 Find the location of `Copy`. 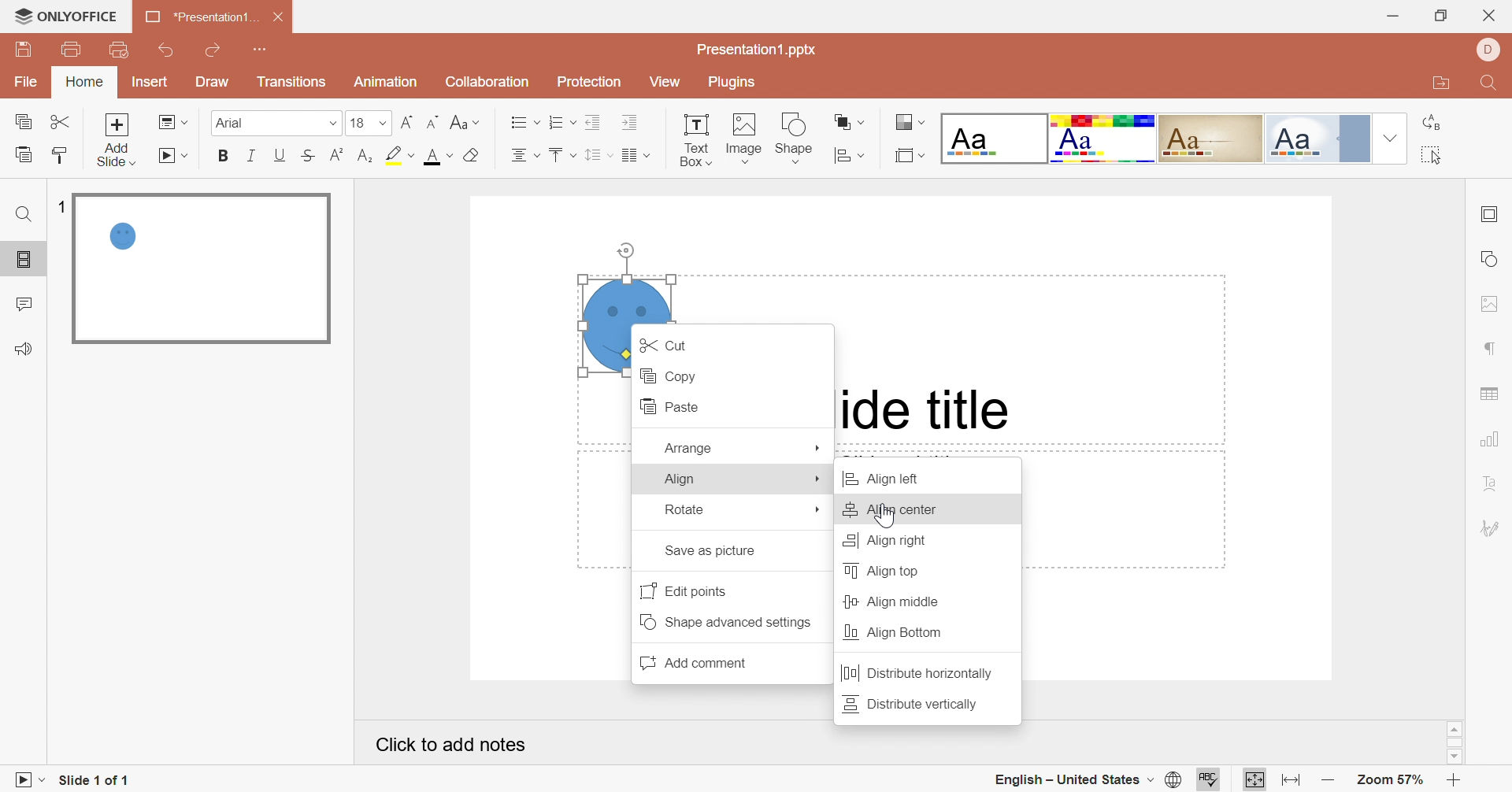

Copy is located at coordinates (28, 124).